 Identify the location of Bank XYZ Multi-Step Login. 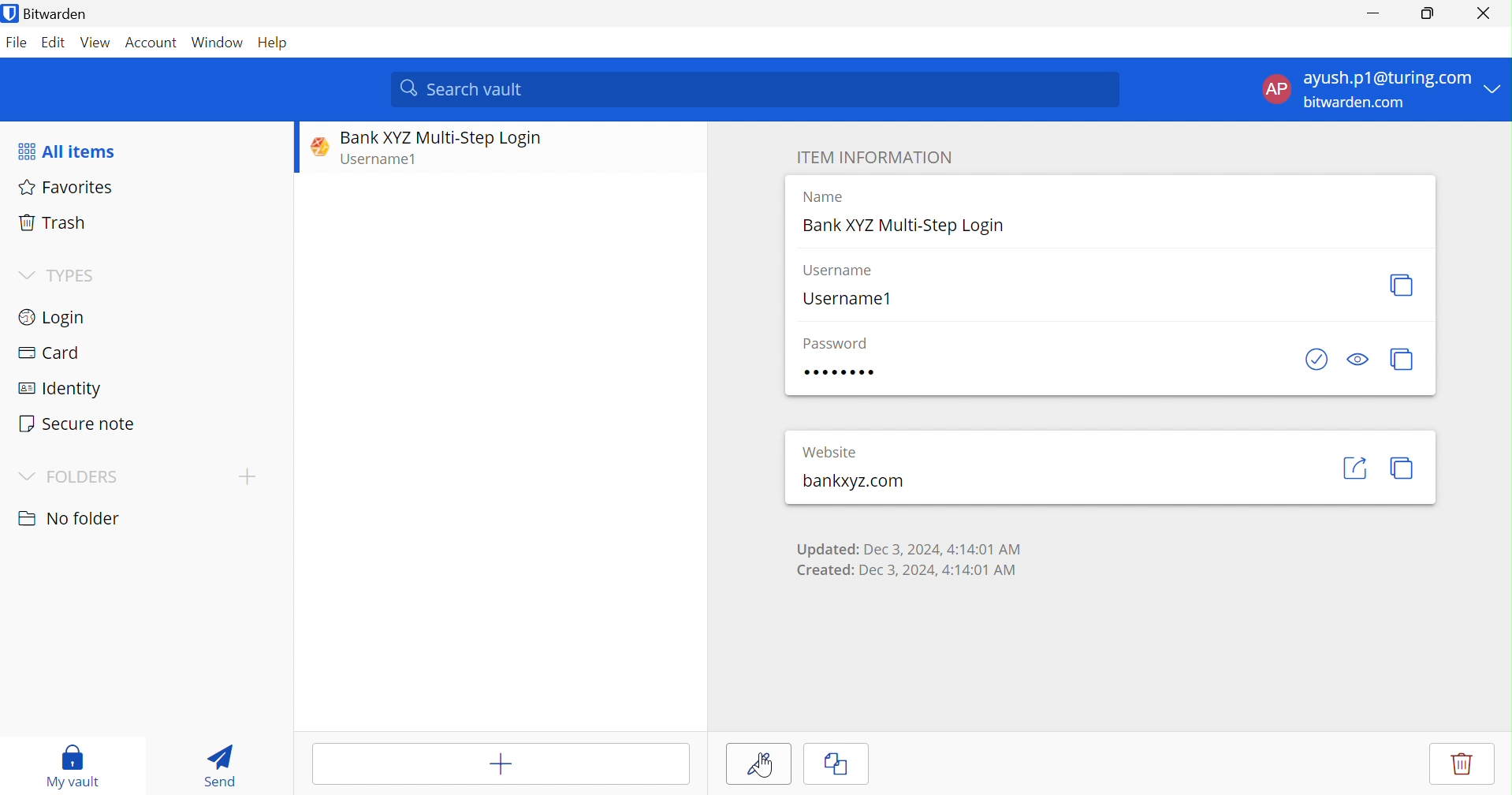
(907, 226).